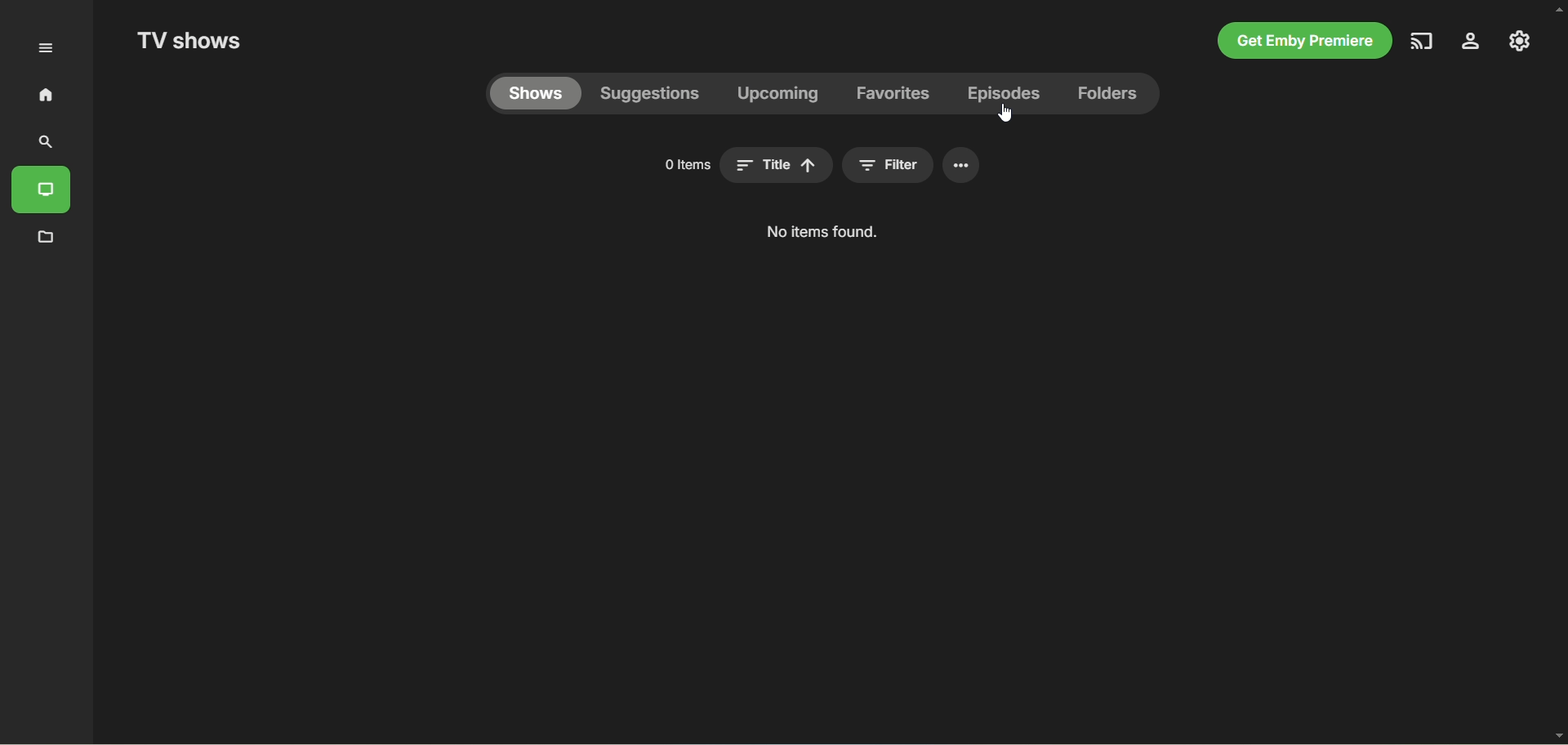 The height and width of the screenshot is (745, 1568). What do you see at coordinates (42, 143) in the screenshot?
I see `search` at bounding box center [42, 143].